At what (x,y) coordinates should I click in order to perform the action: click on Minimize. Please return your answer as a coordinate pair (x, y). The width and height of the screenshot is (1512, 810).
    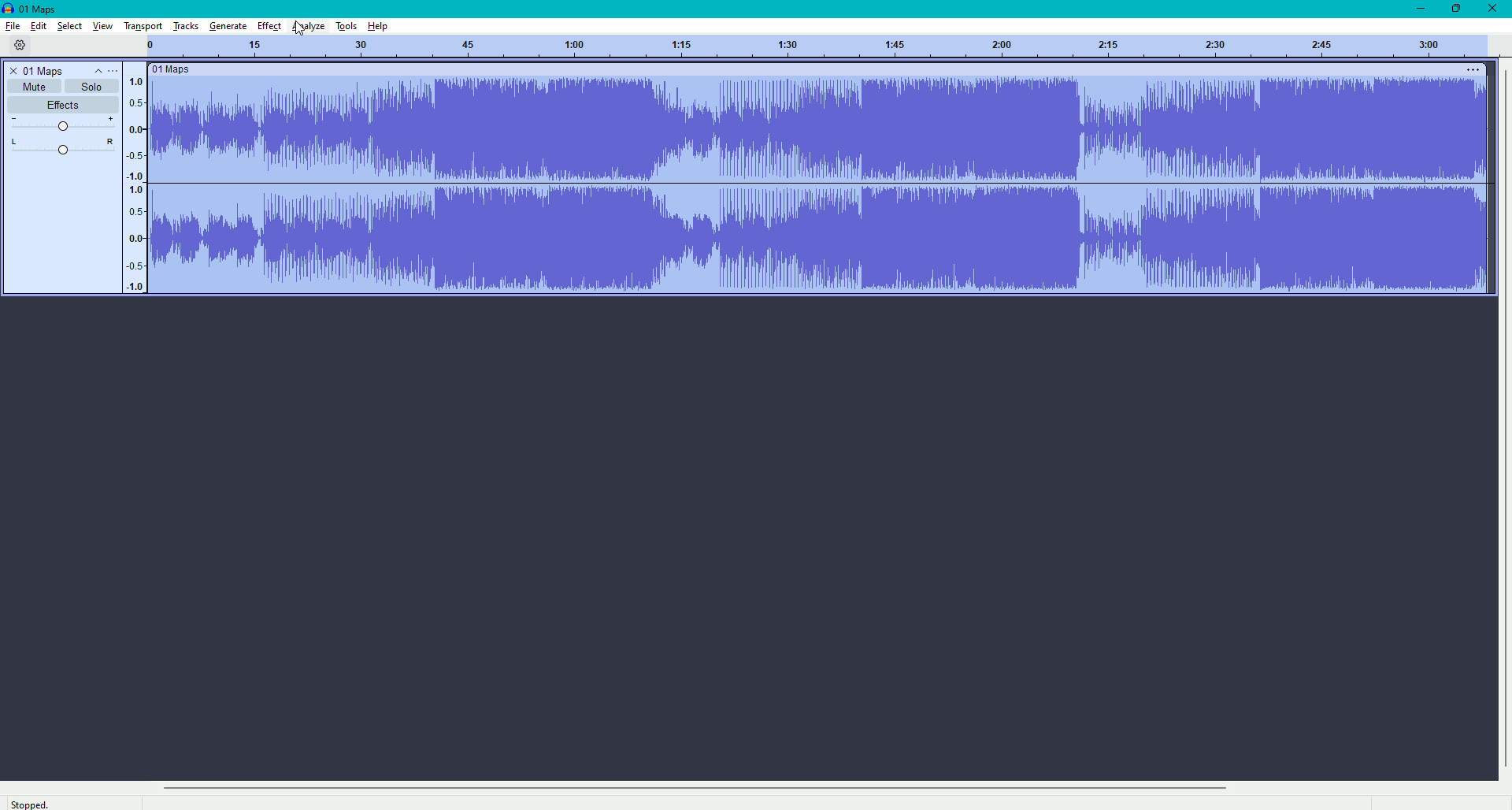
    Looking at the image, I should click on (1418, 9).